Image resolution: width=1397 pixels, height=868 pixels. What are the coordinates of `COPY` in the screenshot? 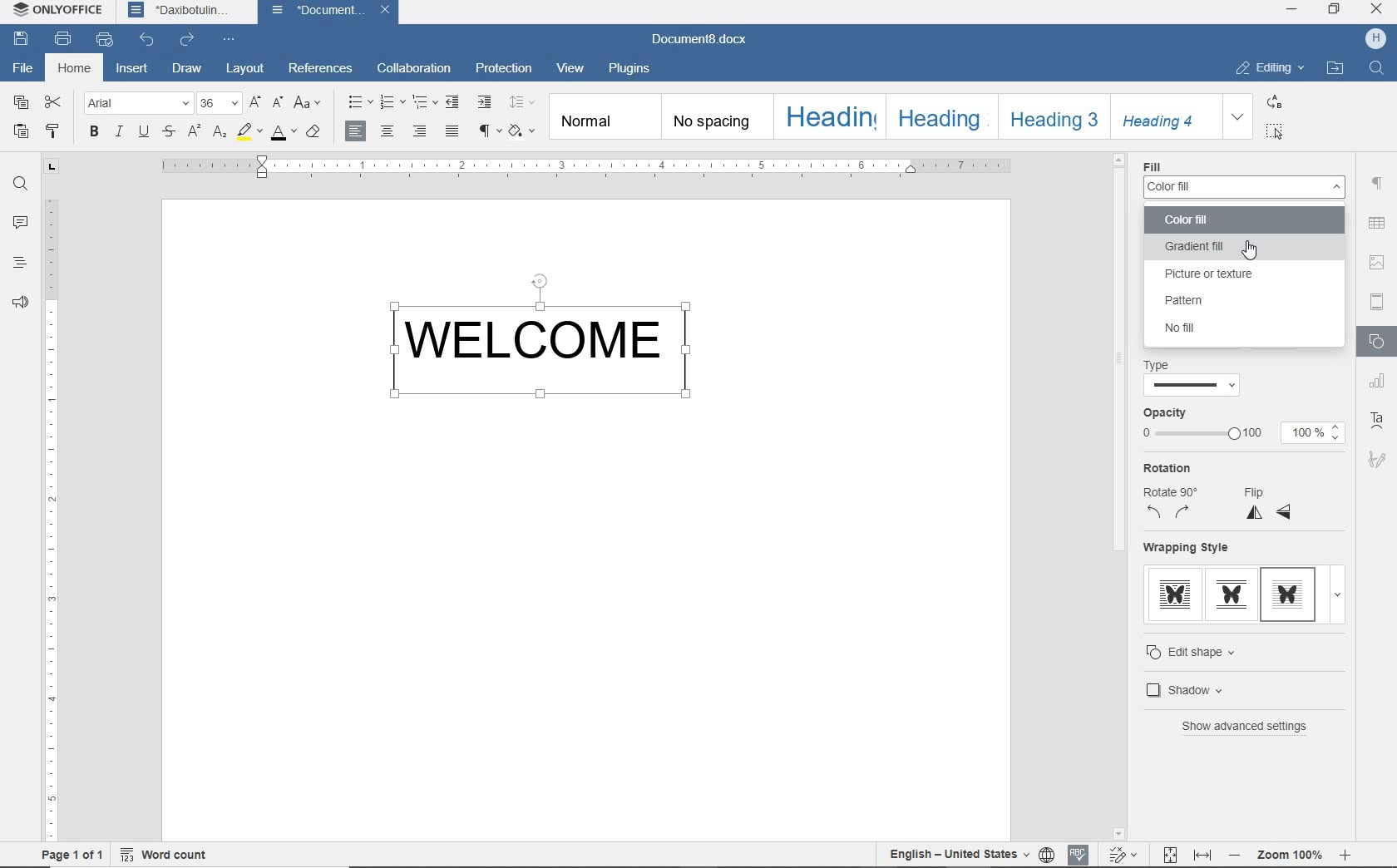 It's located at (21, 102).